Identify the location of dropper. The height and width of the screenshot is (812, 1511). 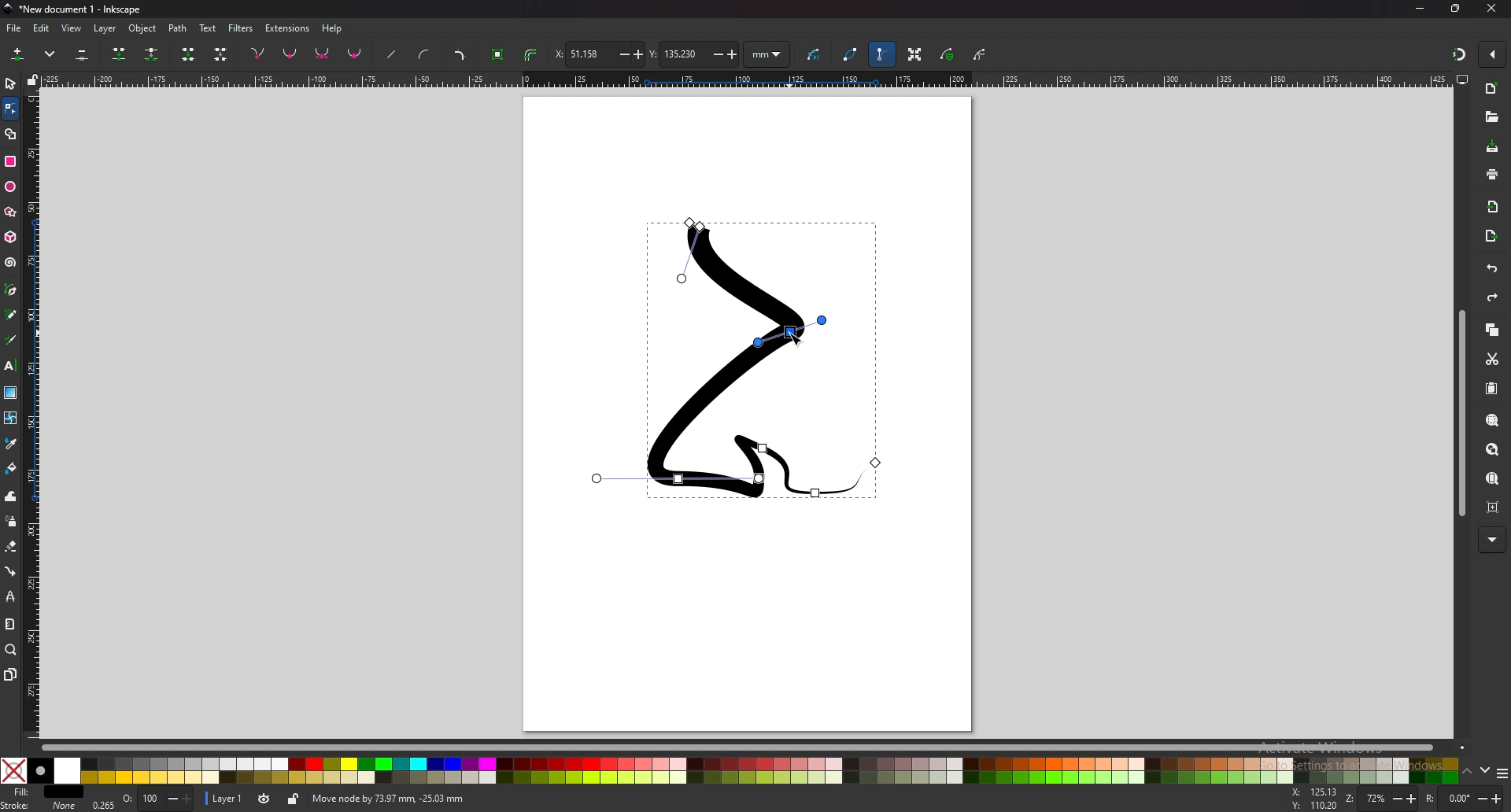
(11, 444).